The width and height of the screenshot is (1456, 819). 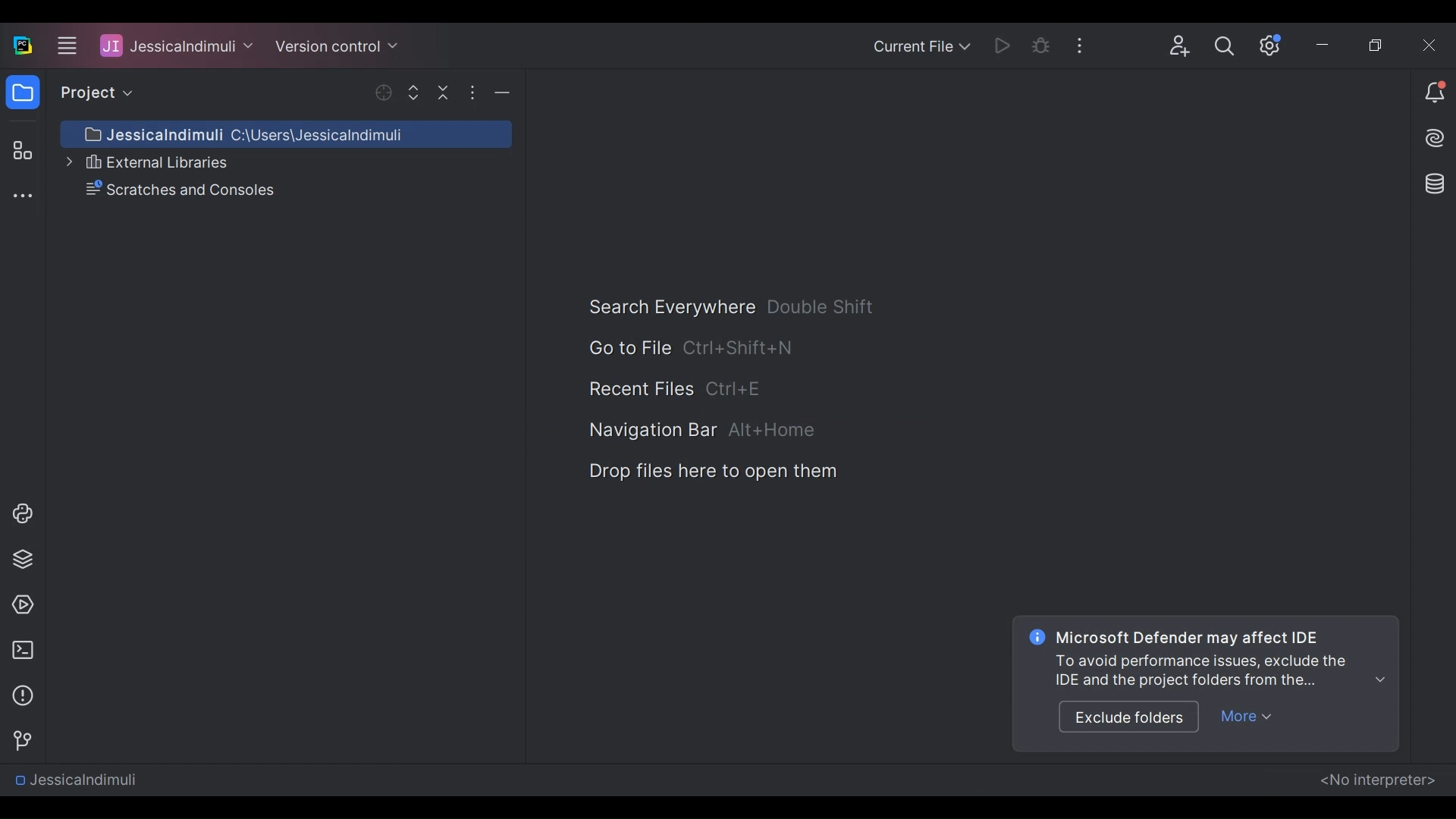 What do you see at coordinates (692, 388) in the screenshot?
I see `Recnet Files` at bounding box center [692, 388].